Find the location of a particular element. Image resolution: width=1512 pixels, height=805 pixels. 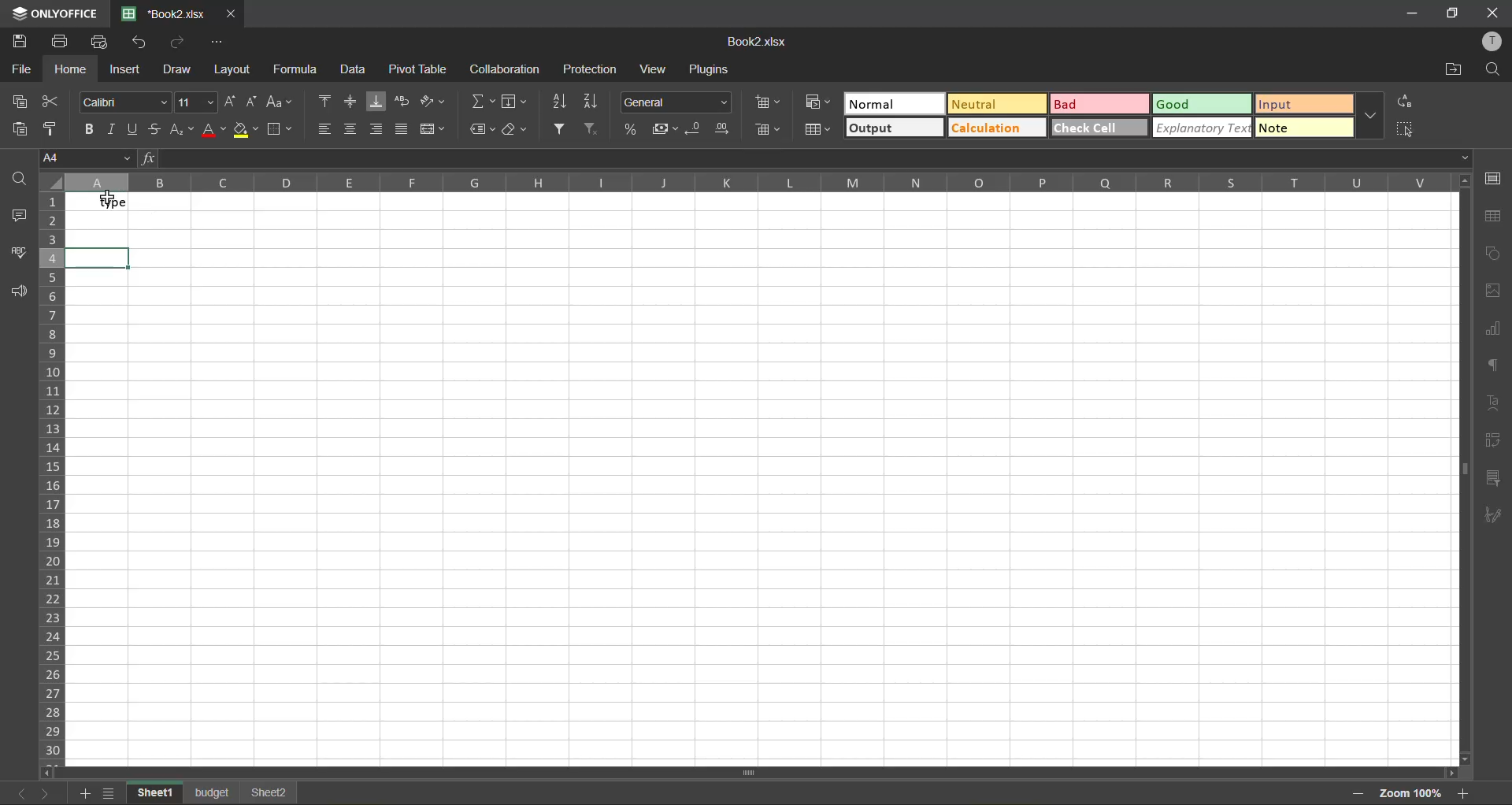

text is located at coordinates (1494, 406).